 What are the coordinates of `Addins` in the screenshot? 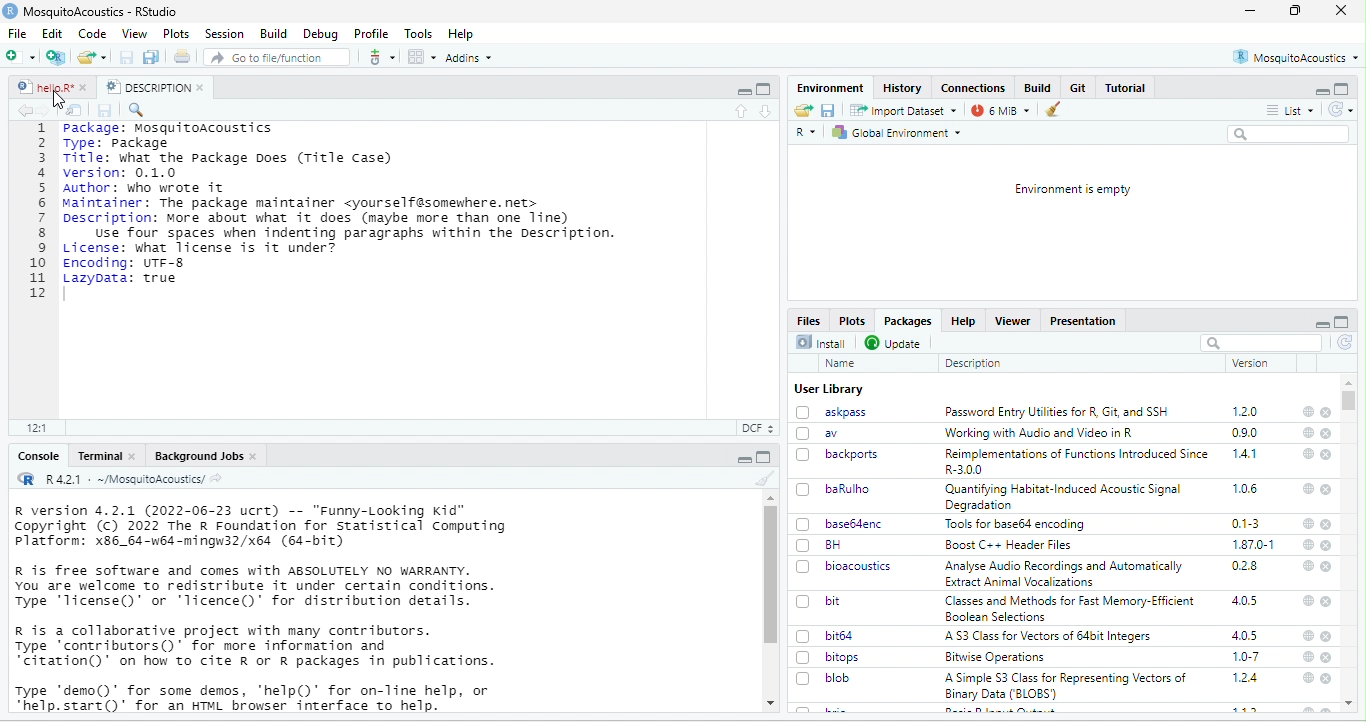 It's located at (469, 57).